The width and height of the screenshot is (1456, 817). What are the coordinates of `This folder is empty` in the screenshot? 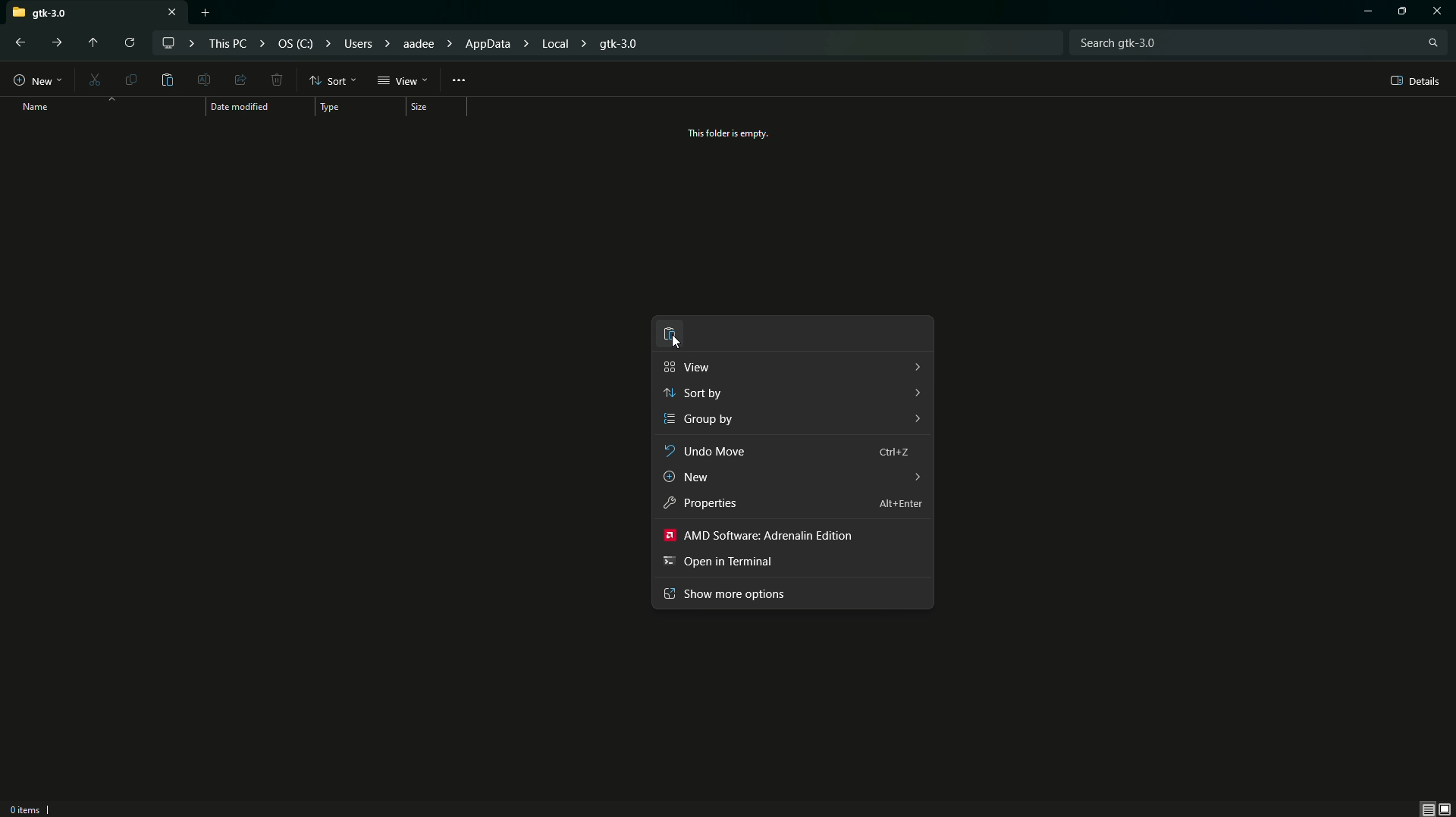 It's located at (736, 133).